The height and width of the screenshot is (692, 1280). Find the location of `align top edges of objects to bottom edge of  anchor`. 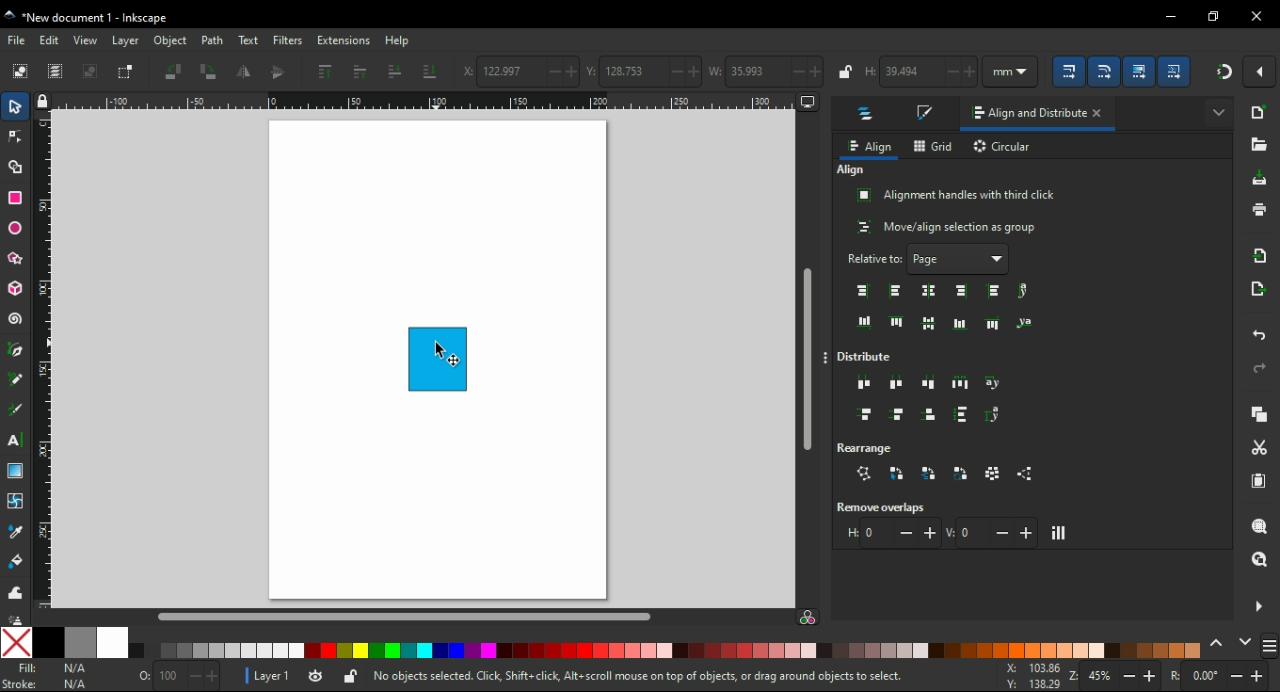

align top edges of objects to bottom edge of  anchor is located at coordinates (994, 322).